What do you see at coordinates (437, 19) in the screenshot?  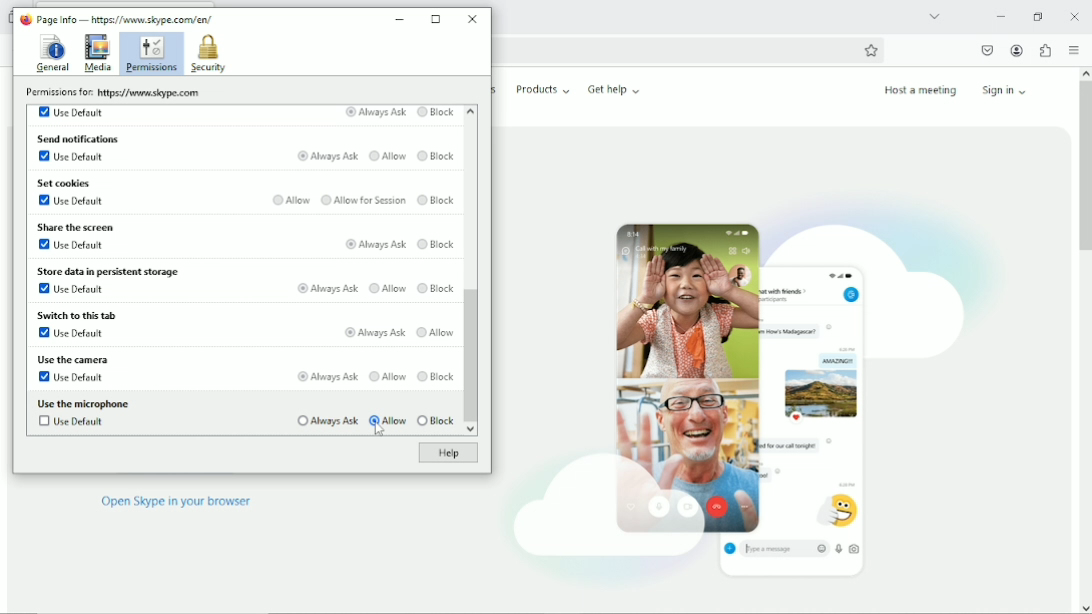 I see `Maximize` at bounding box center [437, 19].